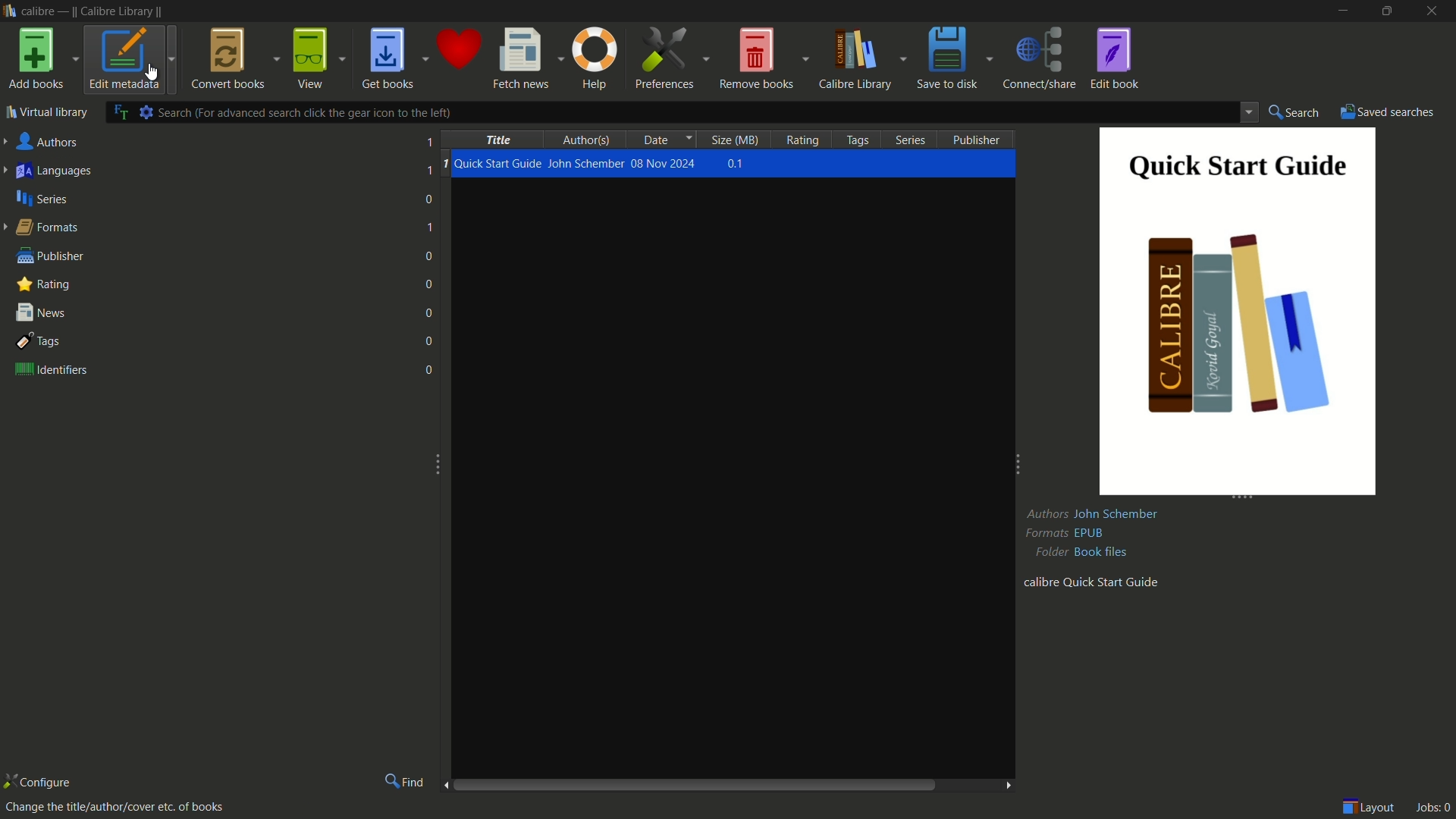 The width and height of the screenshot is (1456, 819). What do you see at coordinates (498, 164) in the screenshot?
I see ` Quick Start Guide` at bounding box center [498, 164].